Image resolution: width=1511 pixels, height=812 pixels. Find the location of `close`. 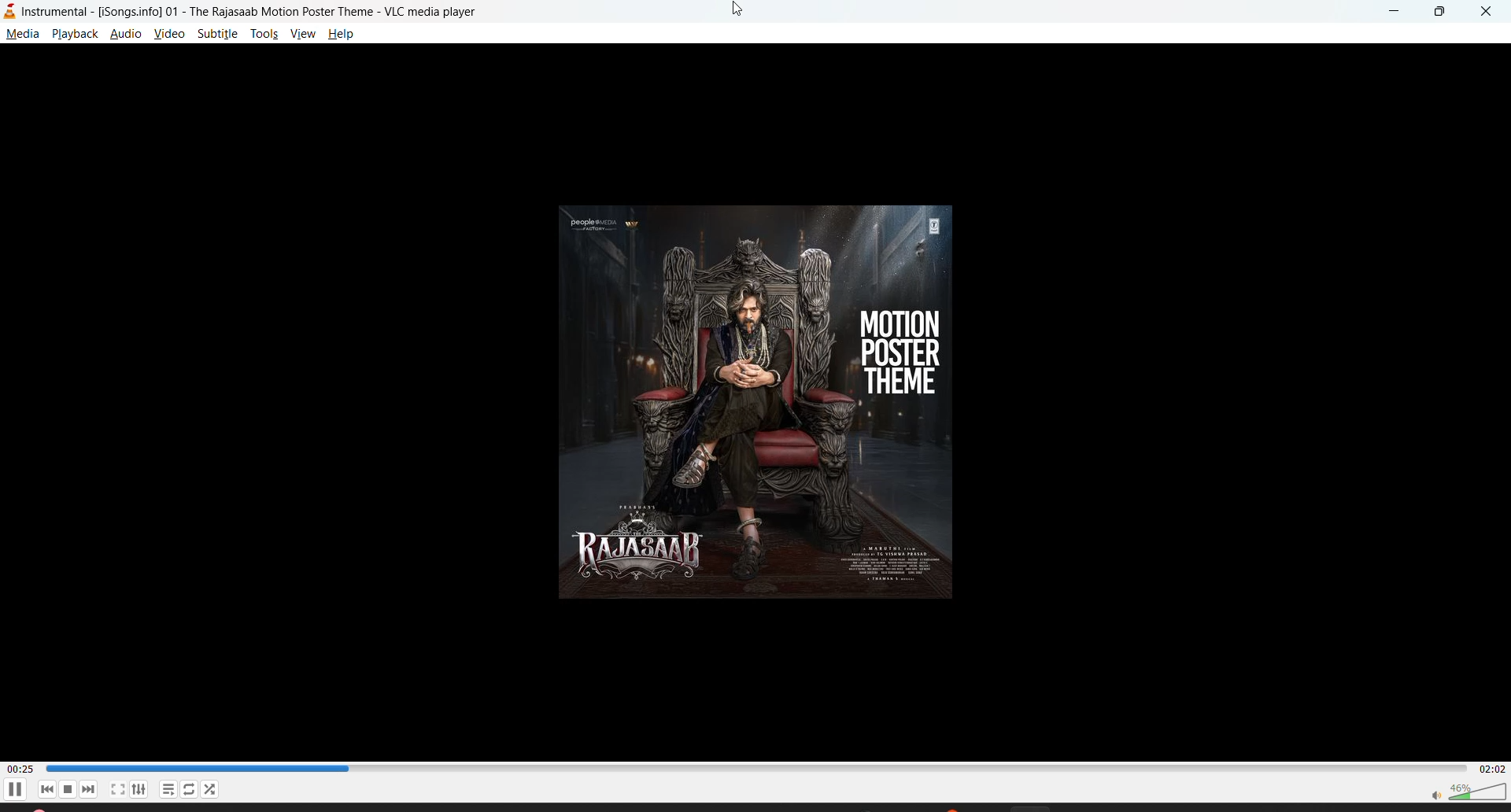

close is located at coordinates (1488, 12).